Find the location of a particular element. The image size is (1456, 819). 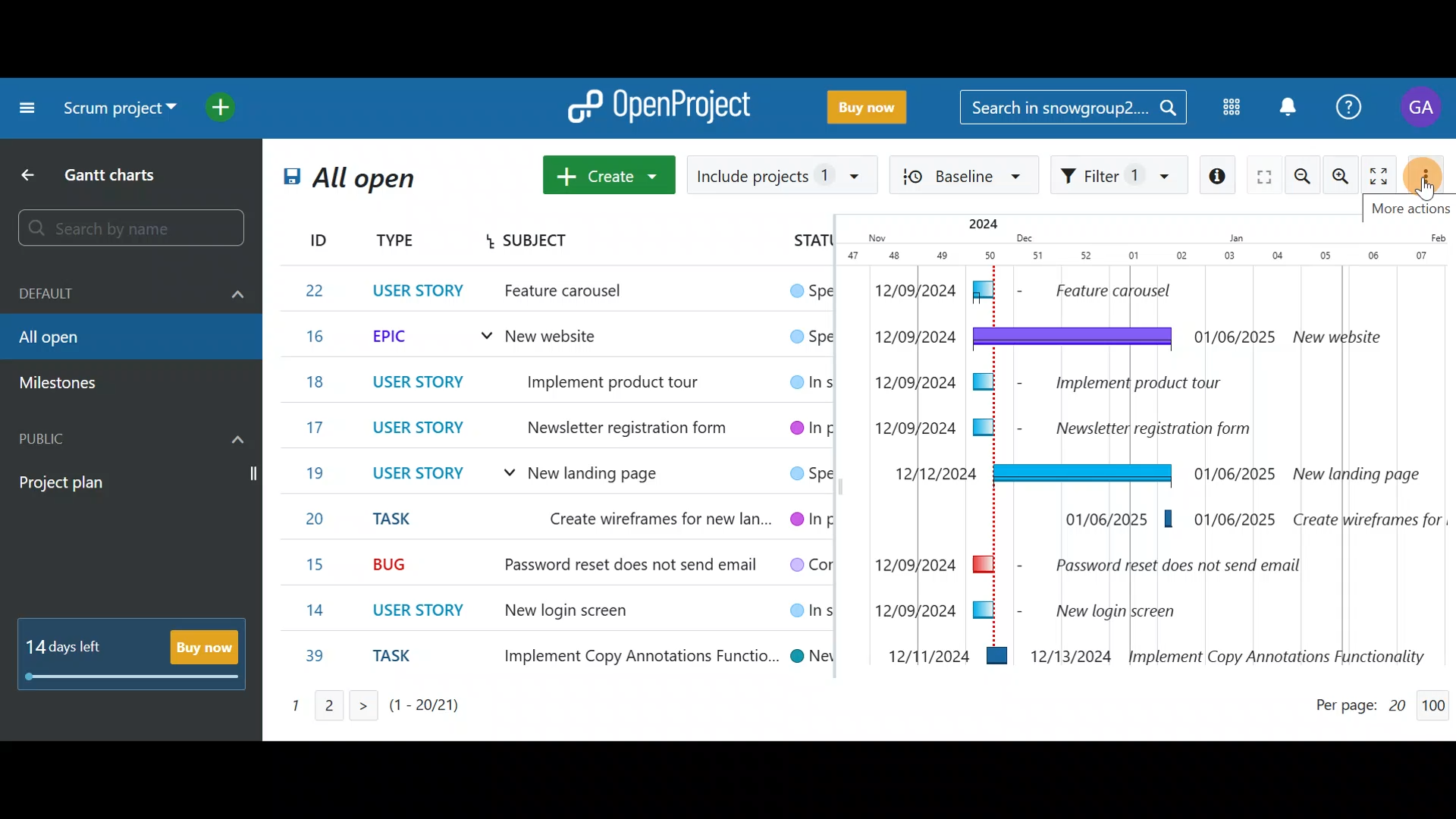

TASK is located at coordinates (401, 660).